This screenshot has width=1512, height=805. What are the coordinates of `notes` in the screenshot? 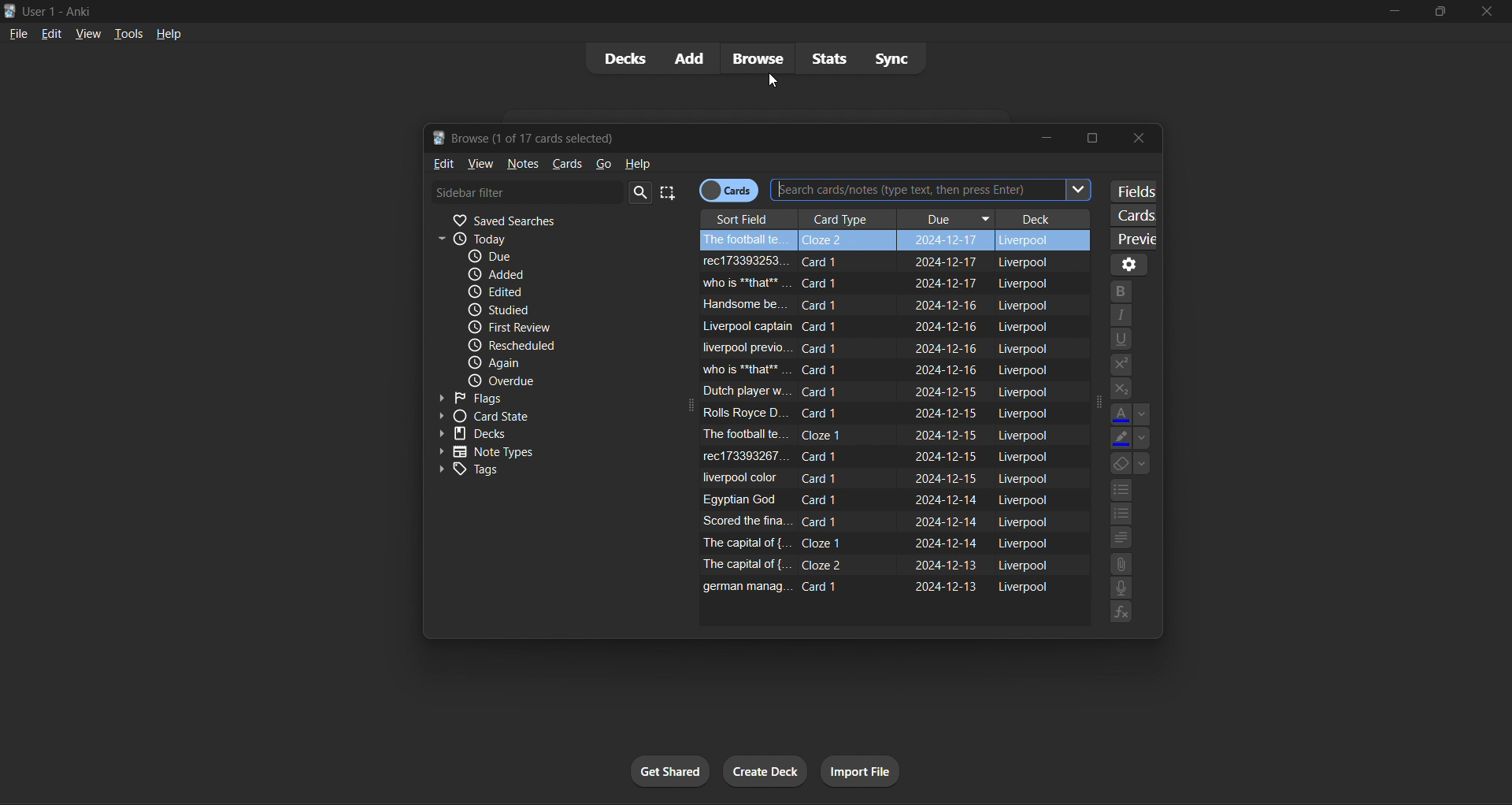 It's located at (524, 165).